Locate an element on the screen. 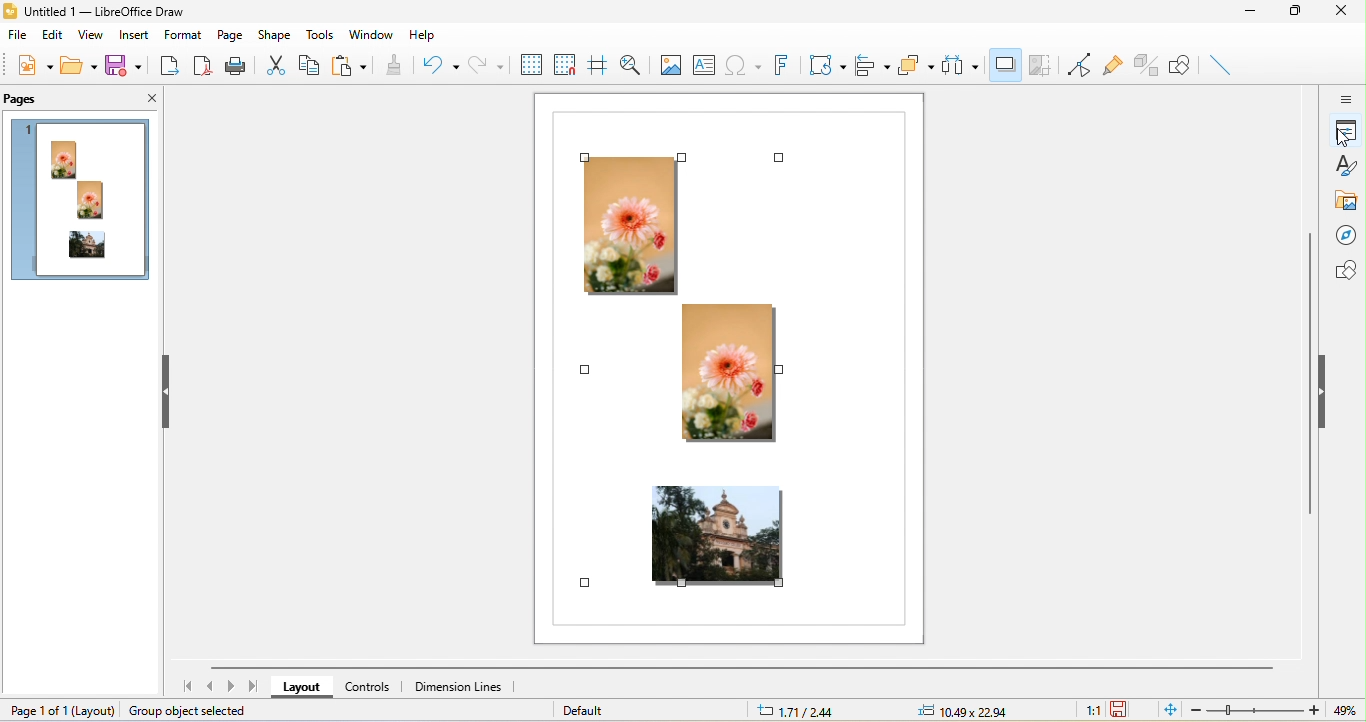  navigator is located at coordinates (1349, 235).